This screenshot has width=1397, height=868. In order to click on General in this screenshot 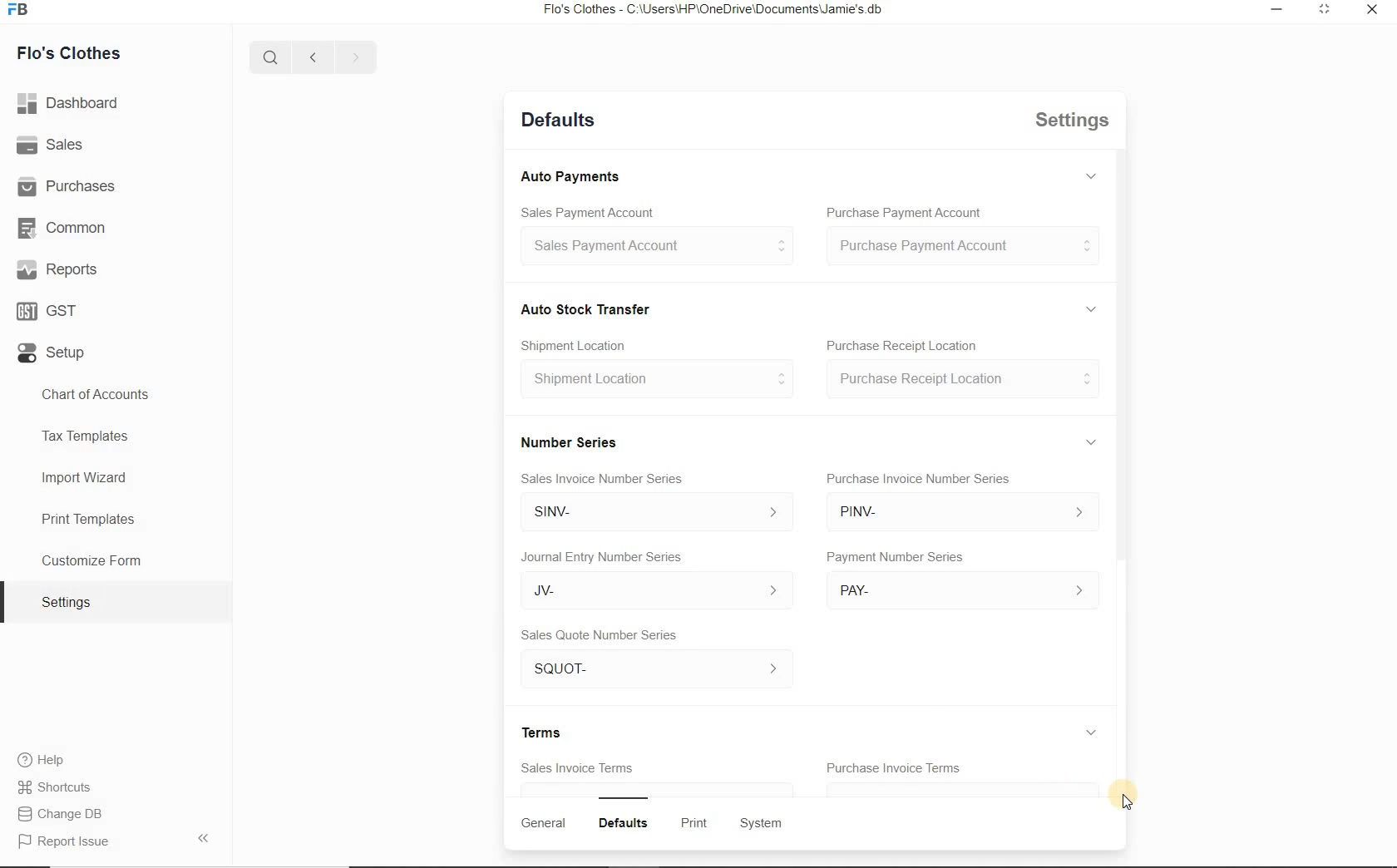, I will do `click(541, 822)`.